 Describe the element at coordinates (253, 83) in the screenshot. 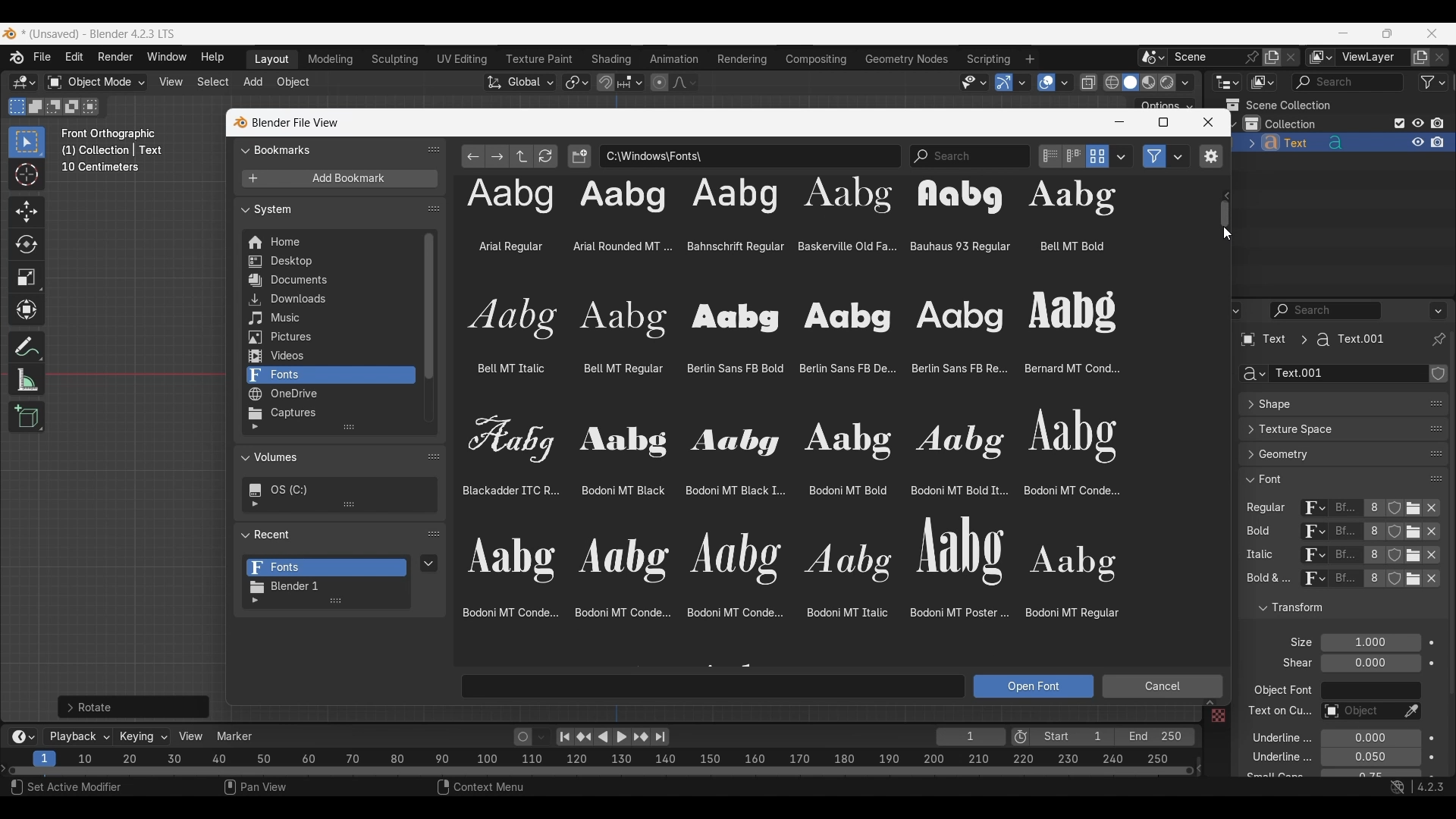

I see `Add menu highlighted as current selection` at that location.